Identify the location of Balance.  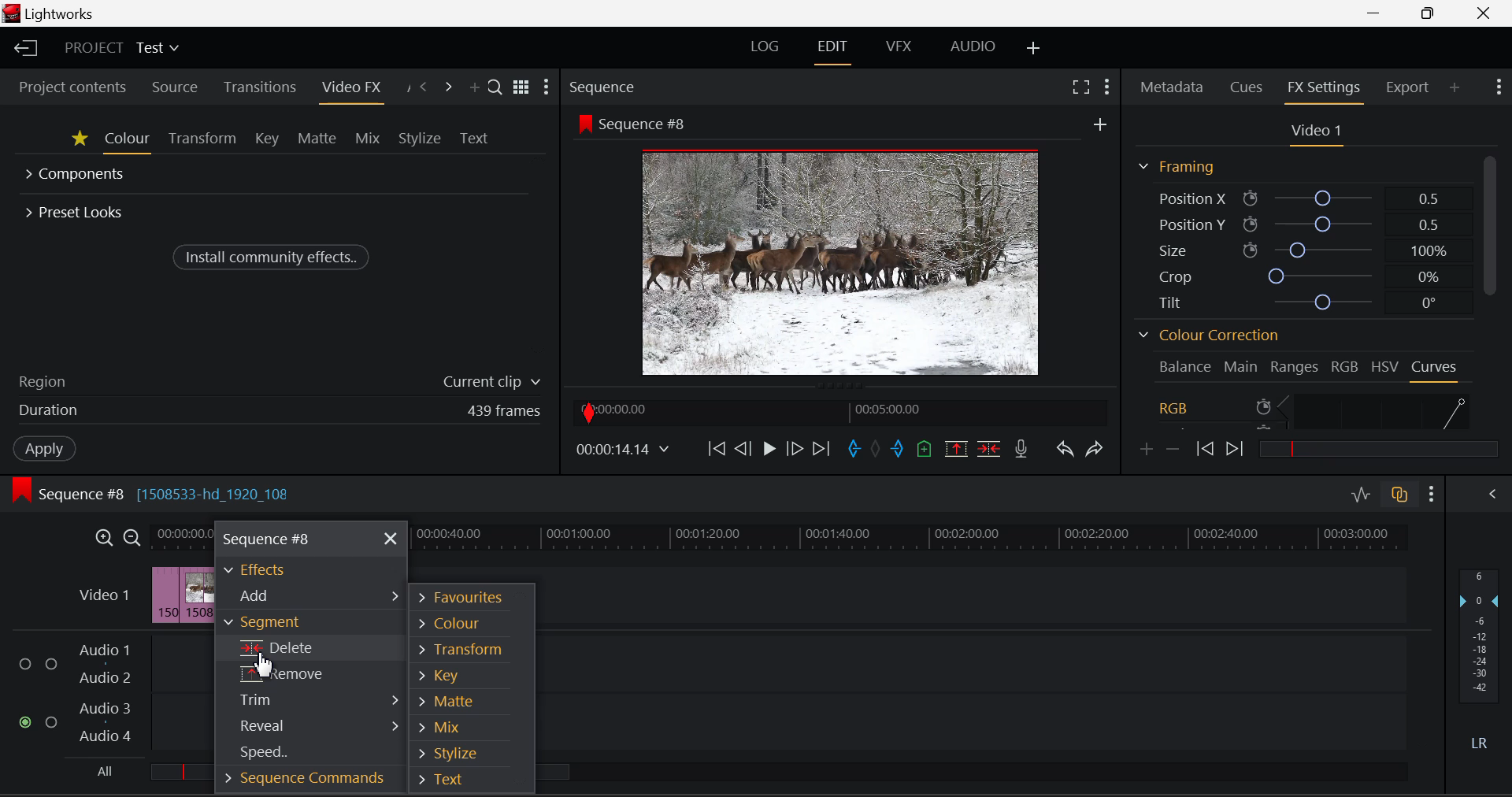
(1184, 366).